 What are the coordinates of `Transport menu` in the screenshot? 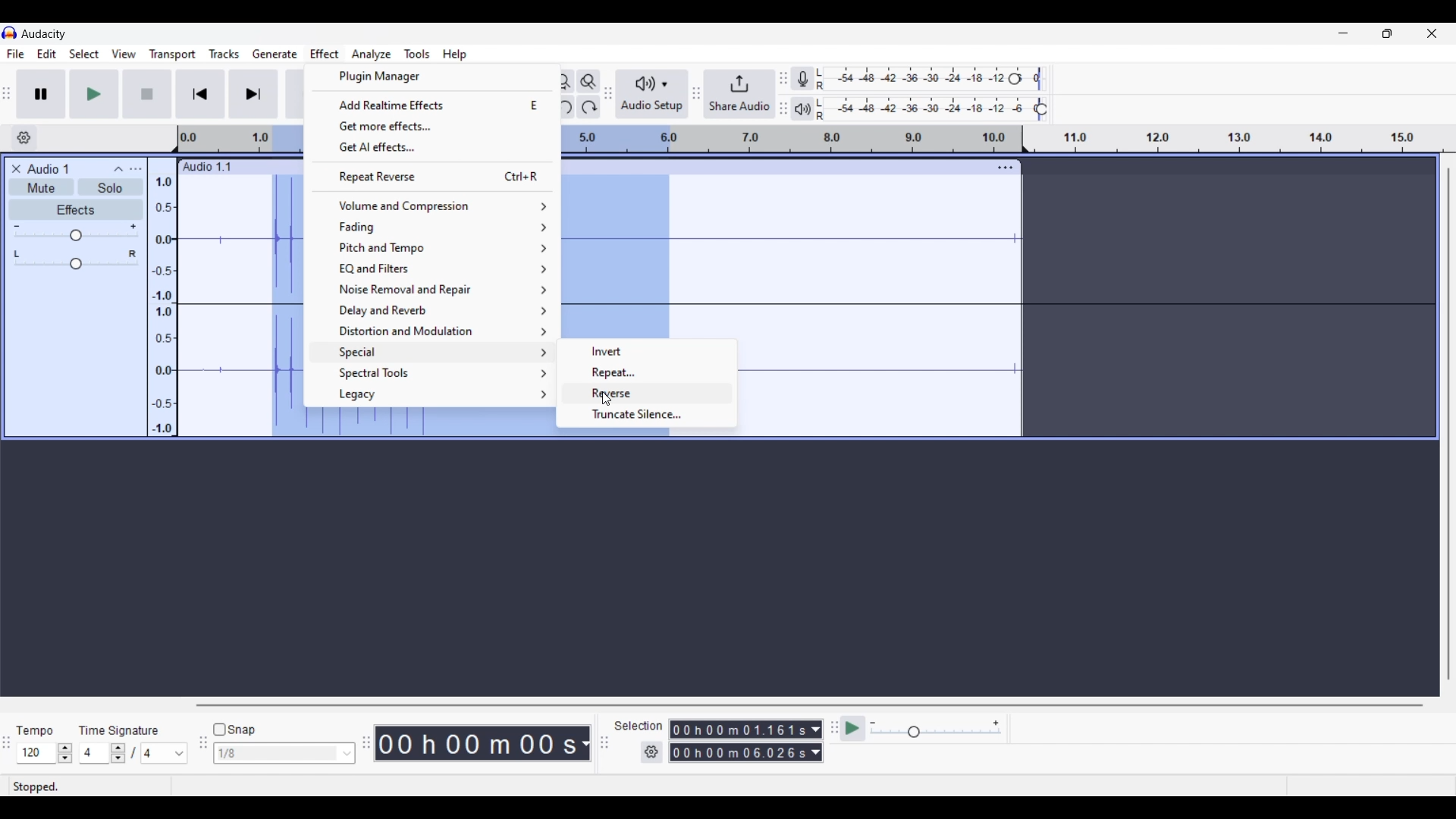 It's located at (173, 54).